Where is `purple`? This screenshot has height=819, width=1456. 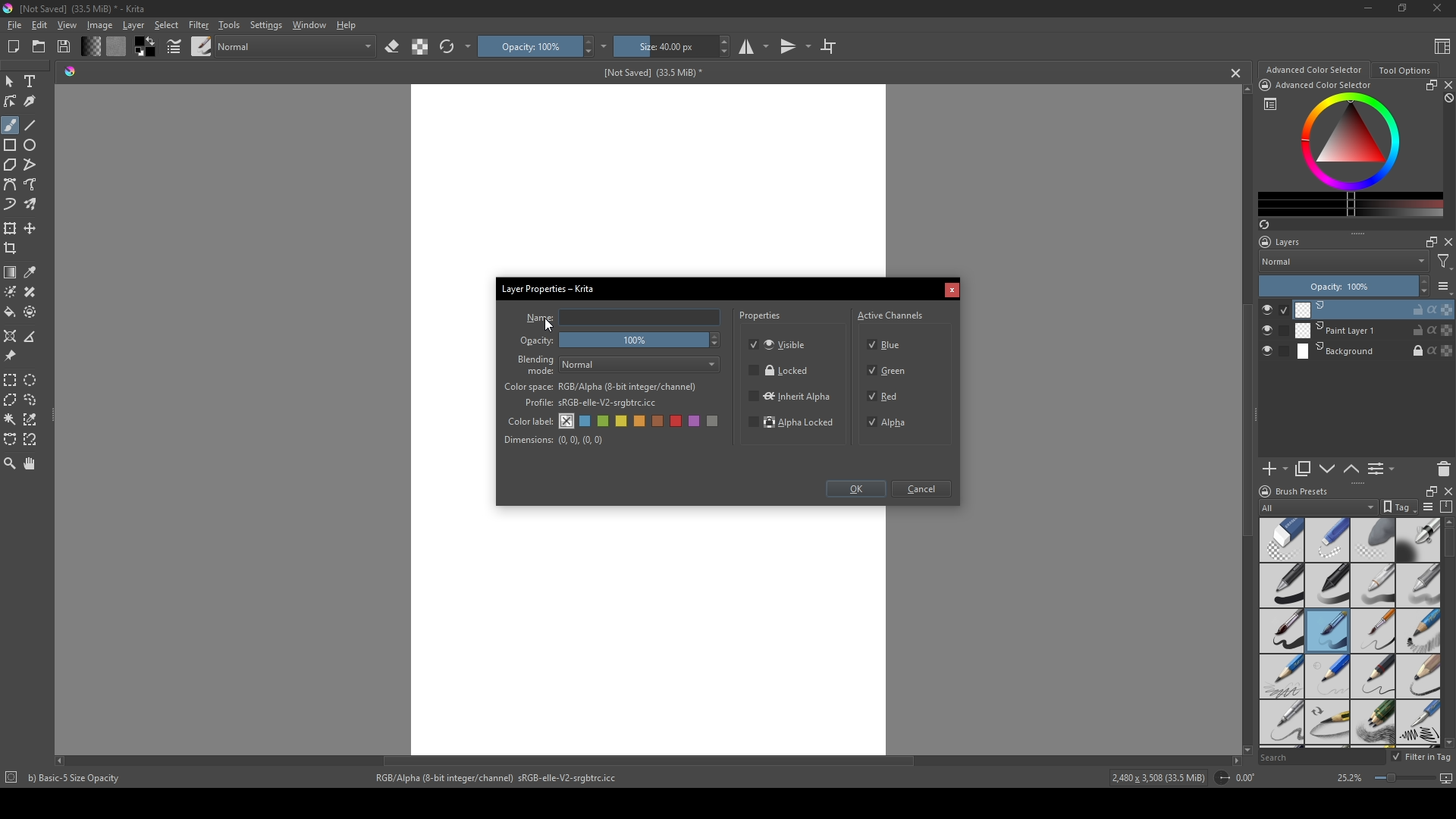
purple is located at coordinates (697, 422).